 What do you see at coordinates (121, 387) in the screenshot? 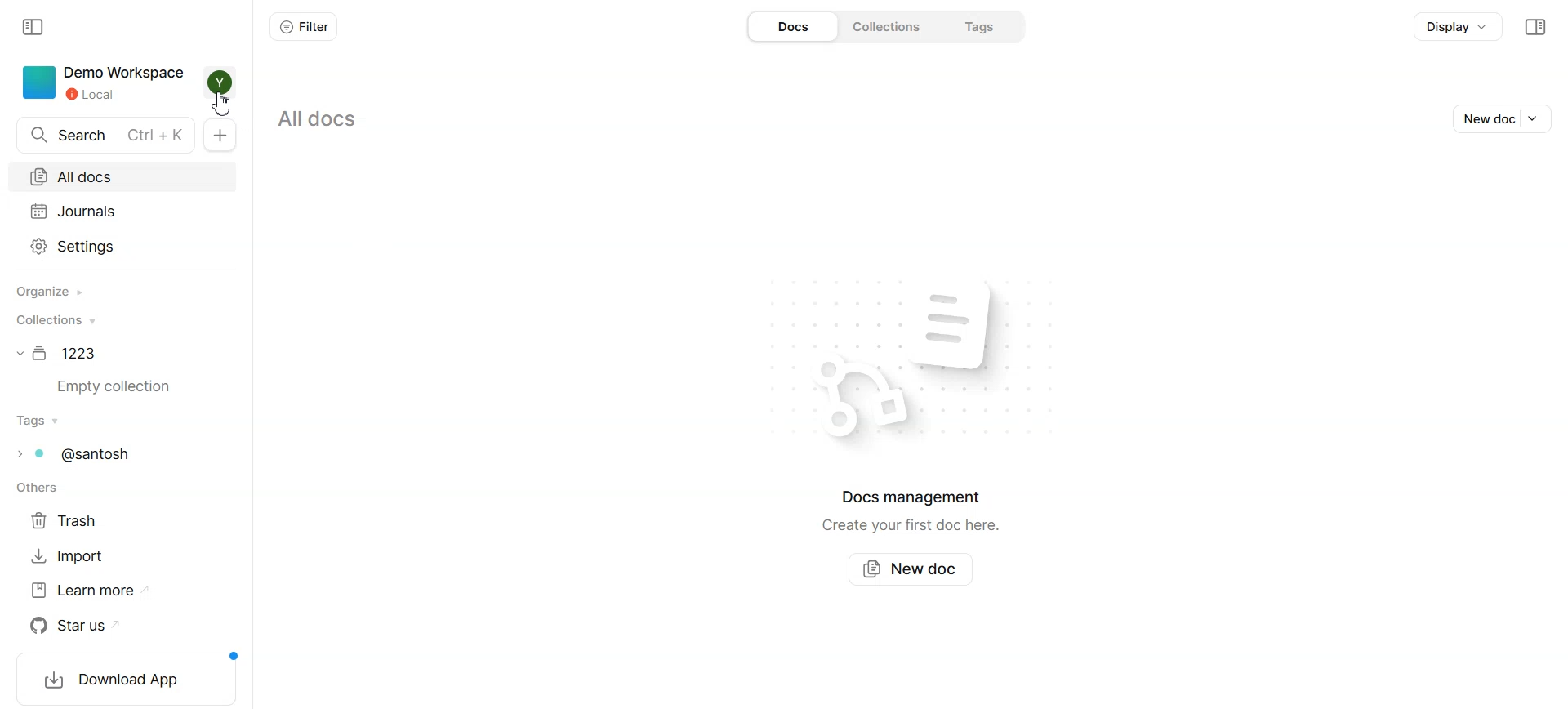
I see `empty collection` at bounding box center [121, 387].